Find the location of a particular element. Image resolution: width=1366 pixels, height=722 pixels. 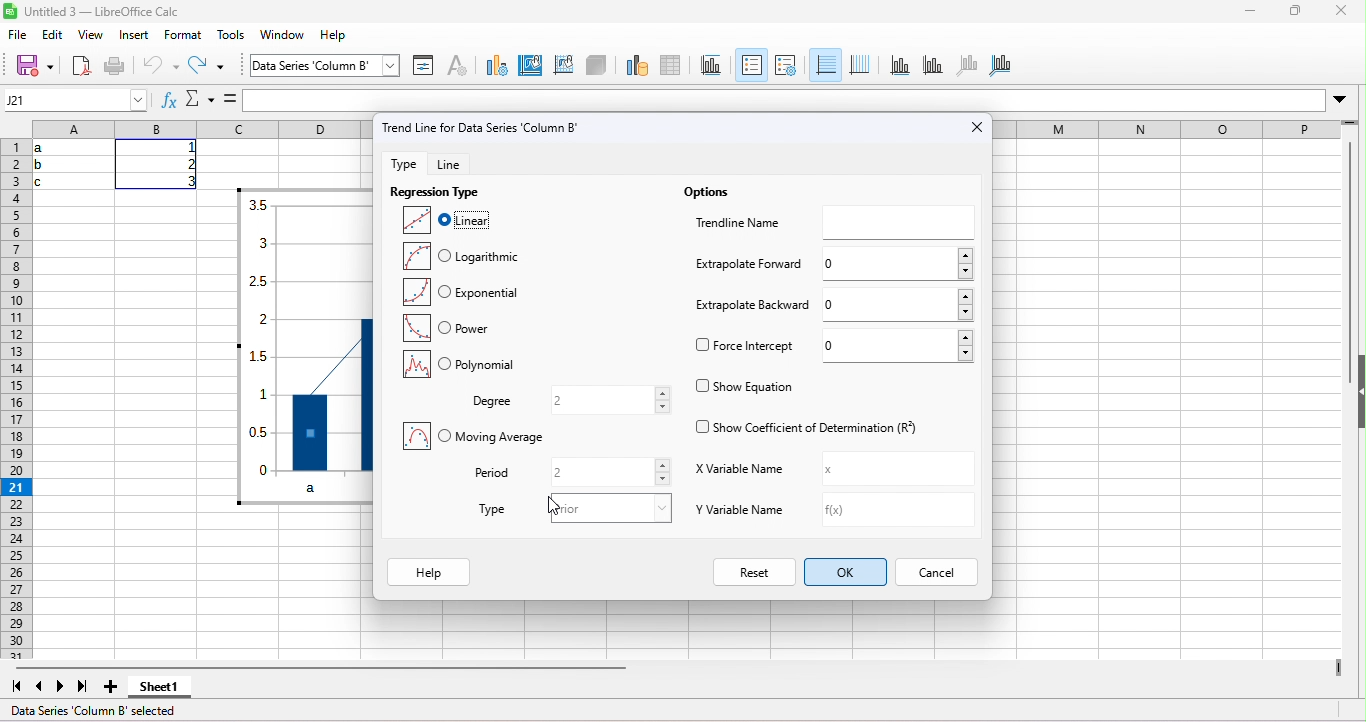

character is located at coordinates (462, 67).